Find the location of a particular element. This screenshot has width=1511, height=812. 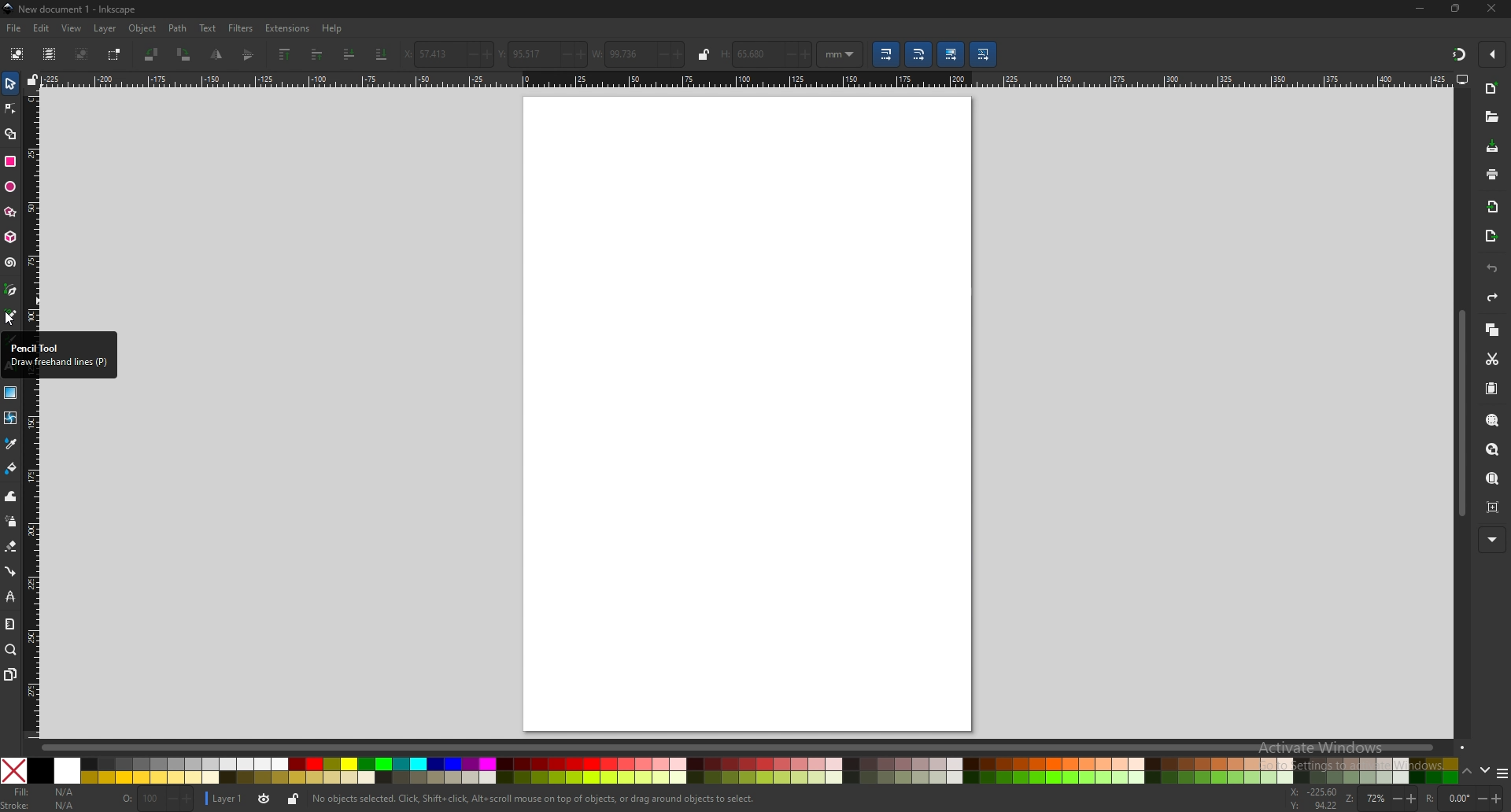

deselect is located at coordinates (83, 54).